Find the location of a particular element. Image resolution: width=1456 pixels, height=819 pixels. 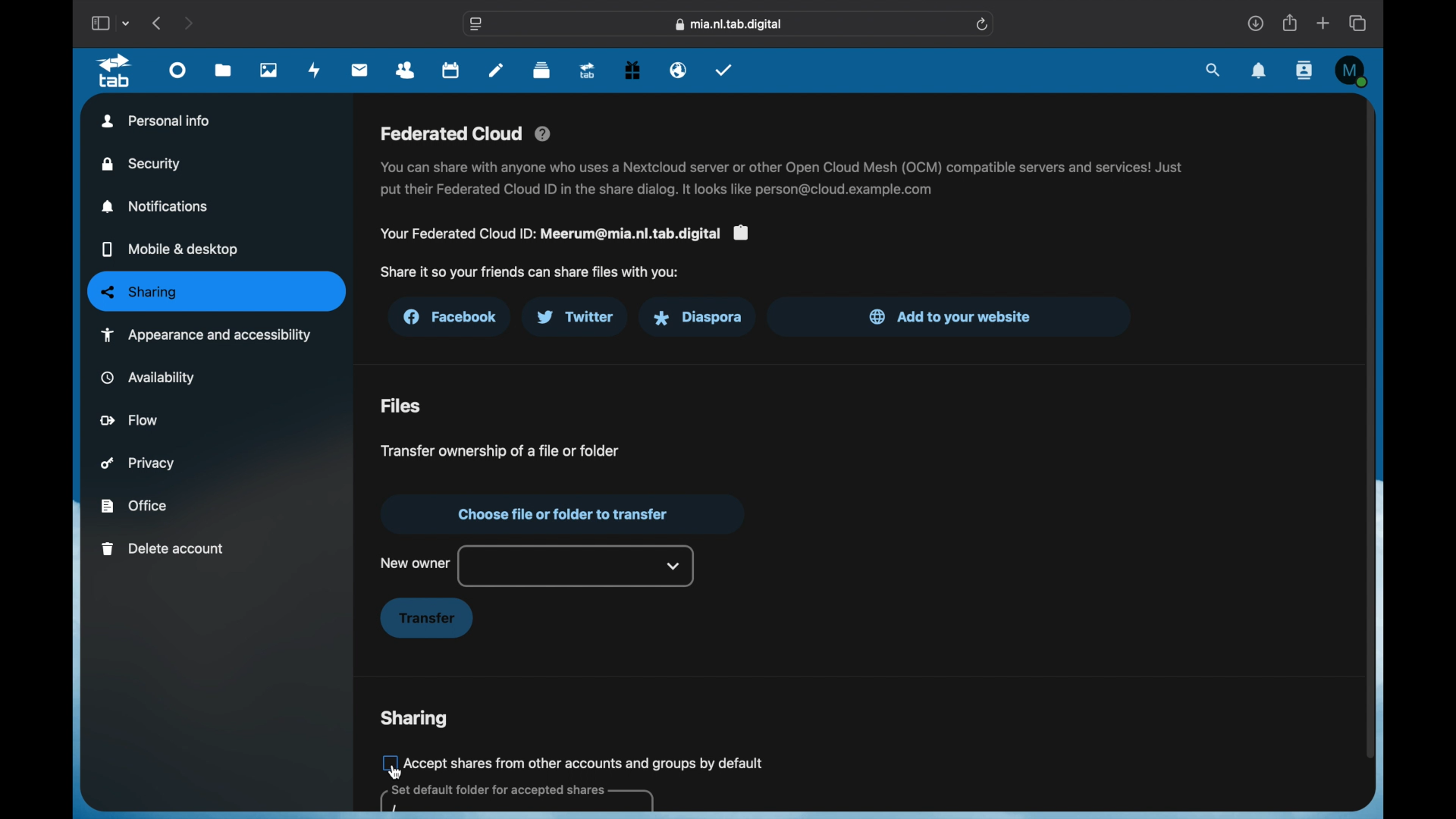

transfer of a file or folder is located at coordinates (497, 450).